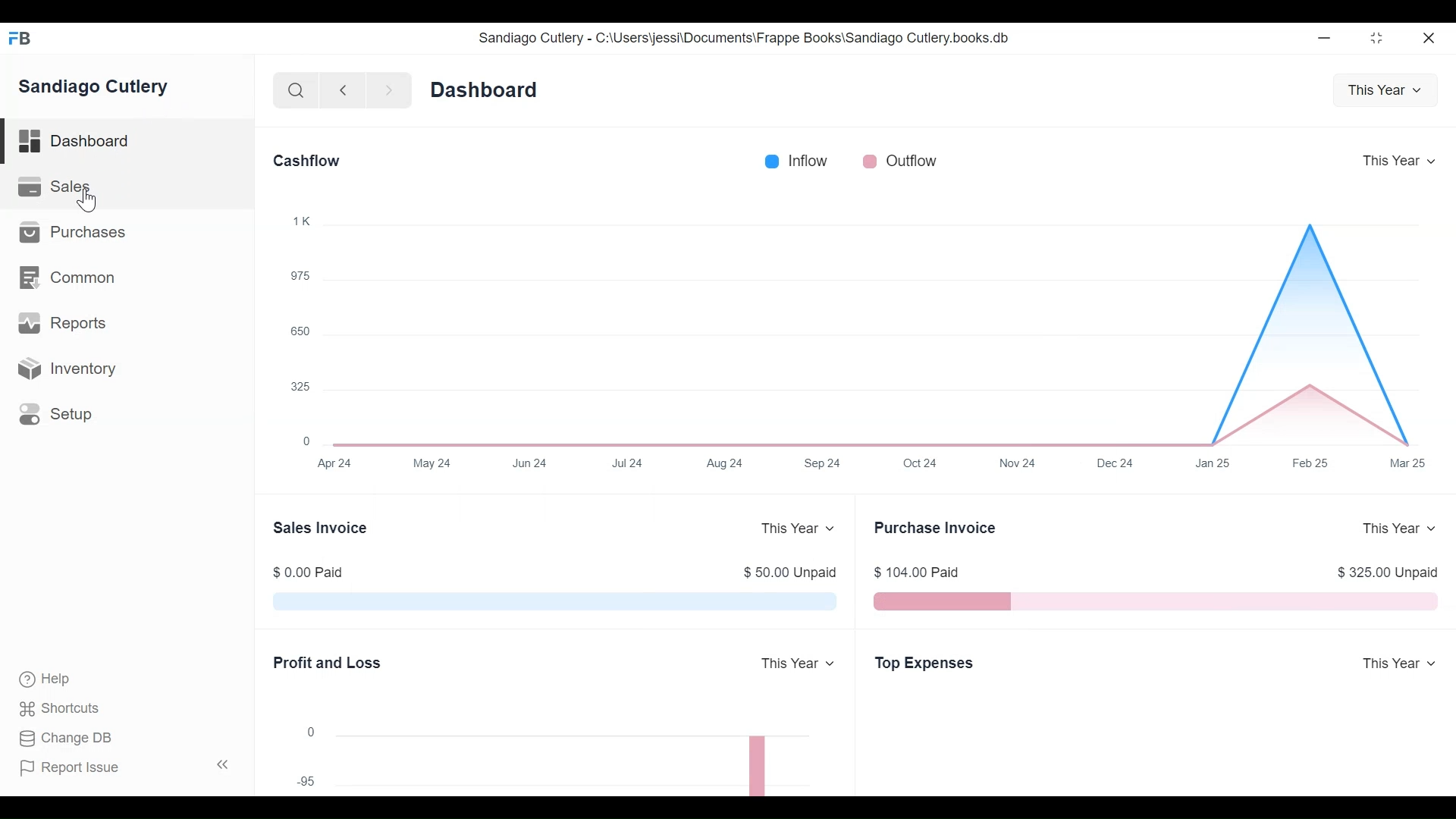 The height and width of the screenshot is (819, 1456). What do you see at coordinates (796, 528) in the screenshot?
I see `This Year` at bounding box center [796, 528].